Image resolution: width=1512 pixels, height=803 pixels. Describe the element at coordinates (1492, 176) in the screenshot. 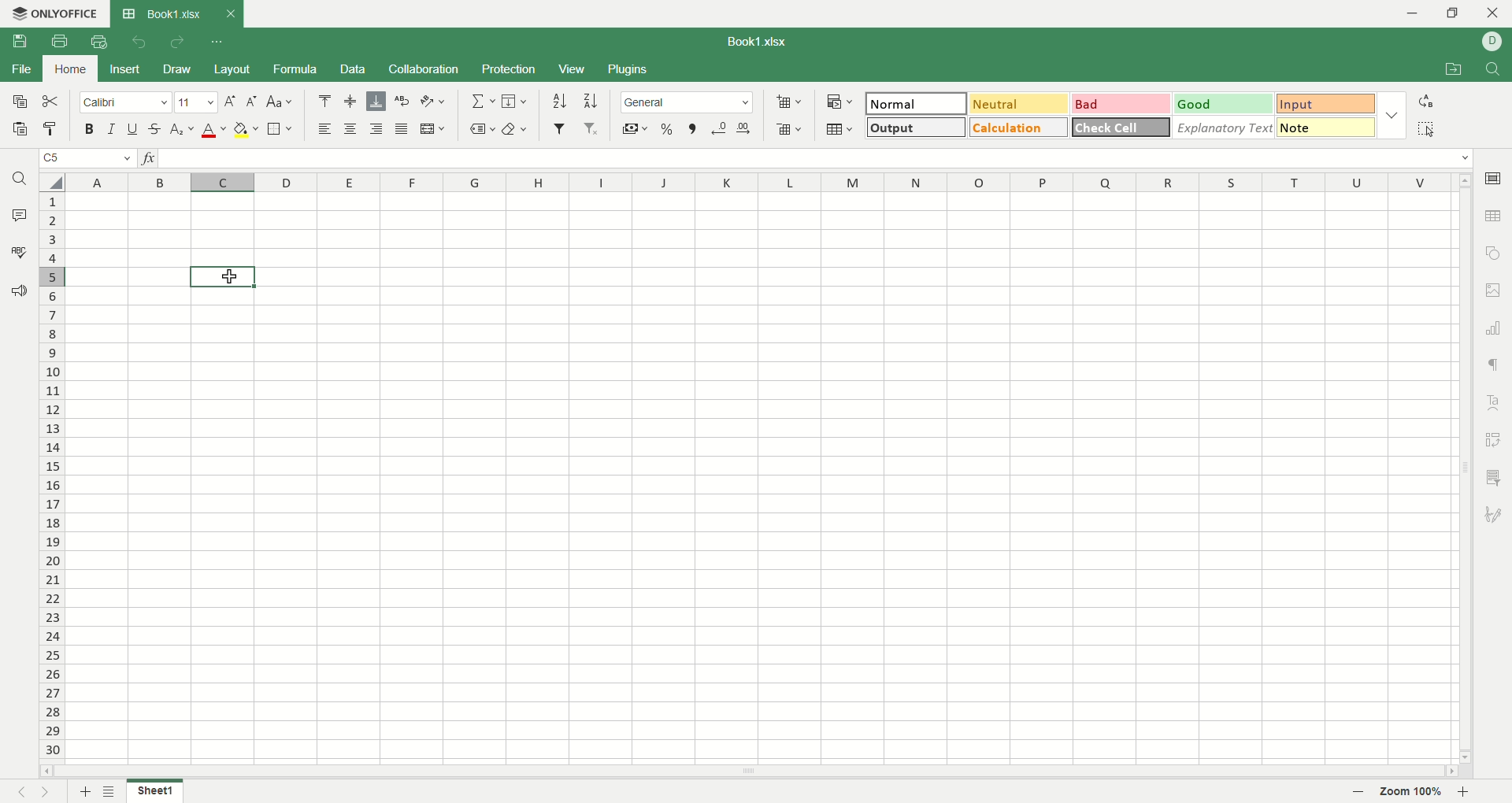

I see `cell settings` at that location.